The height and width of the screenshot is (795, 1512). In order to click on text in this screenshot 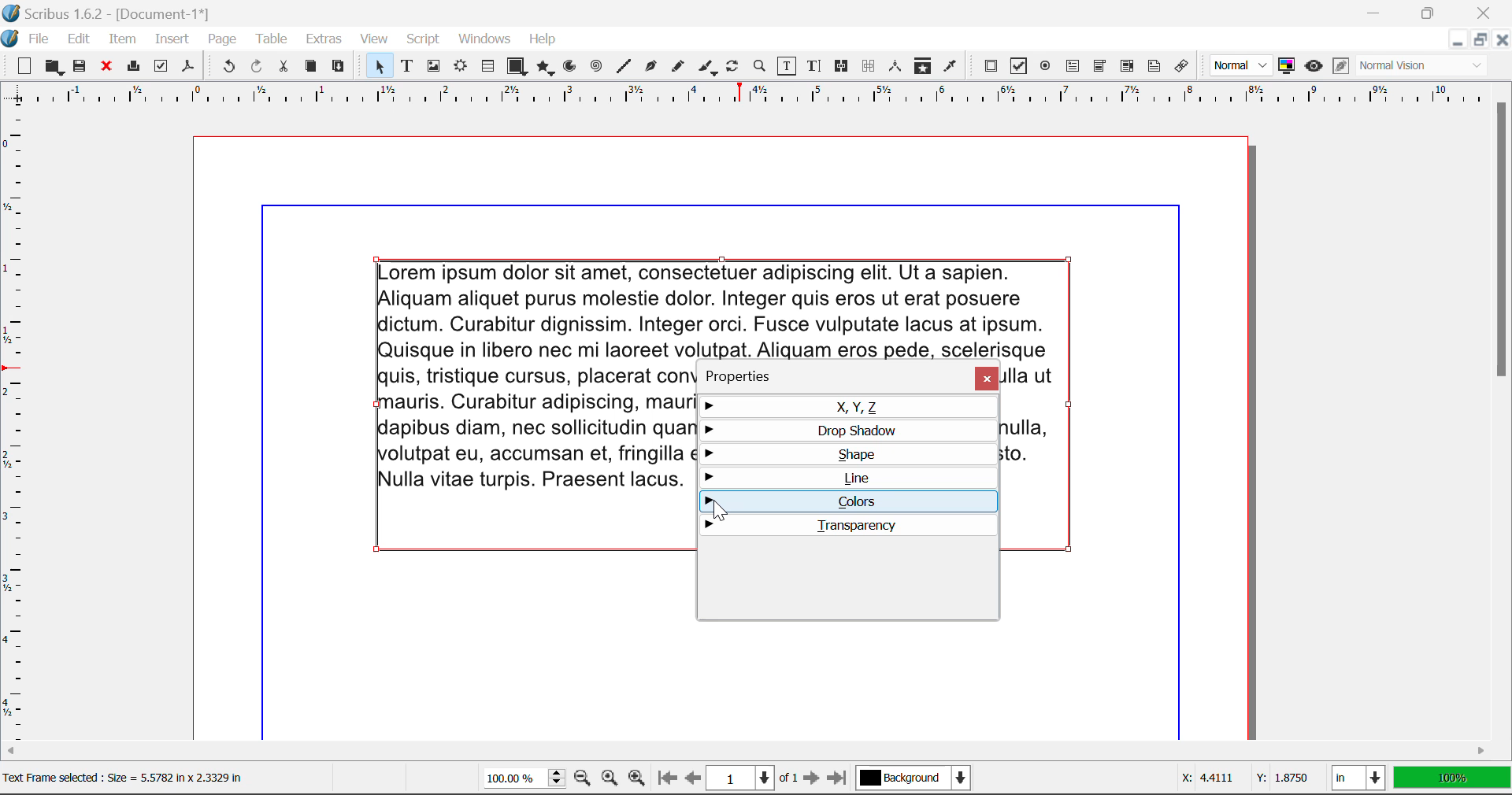, I will do `click(721, 311)`.